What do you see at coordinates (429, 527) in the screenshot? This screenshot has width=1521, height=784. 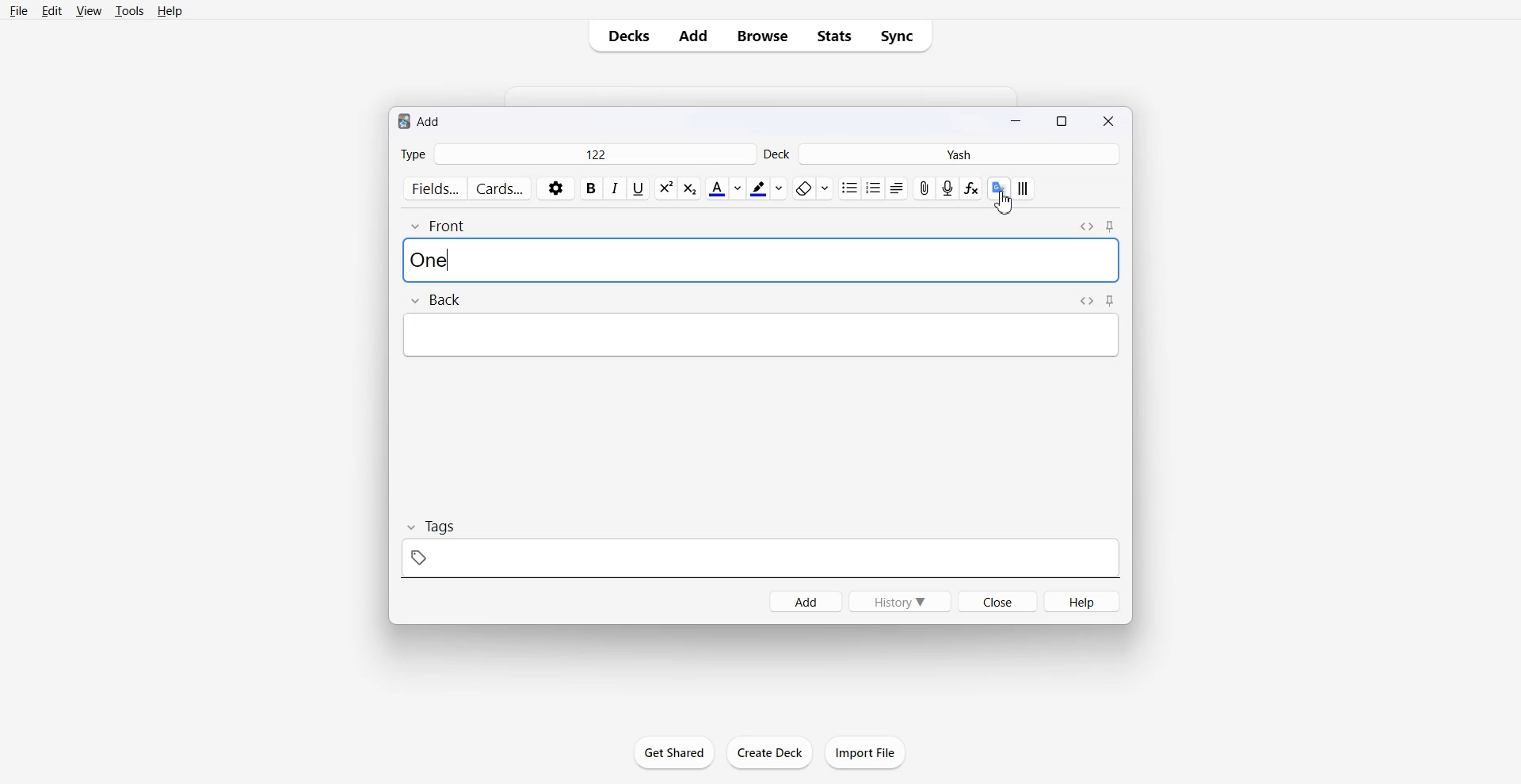 I see `Tags` at bounding box center [429, 527].